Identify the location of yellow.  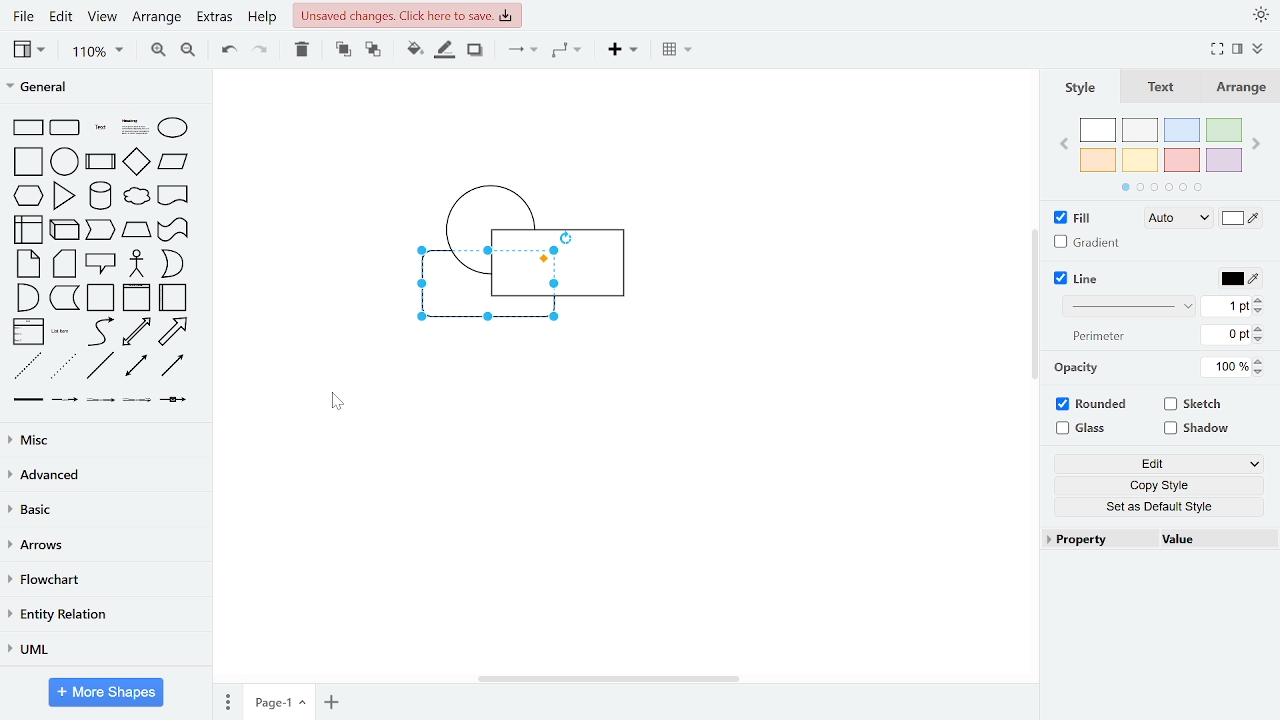
(1141, 159).